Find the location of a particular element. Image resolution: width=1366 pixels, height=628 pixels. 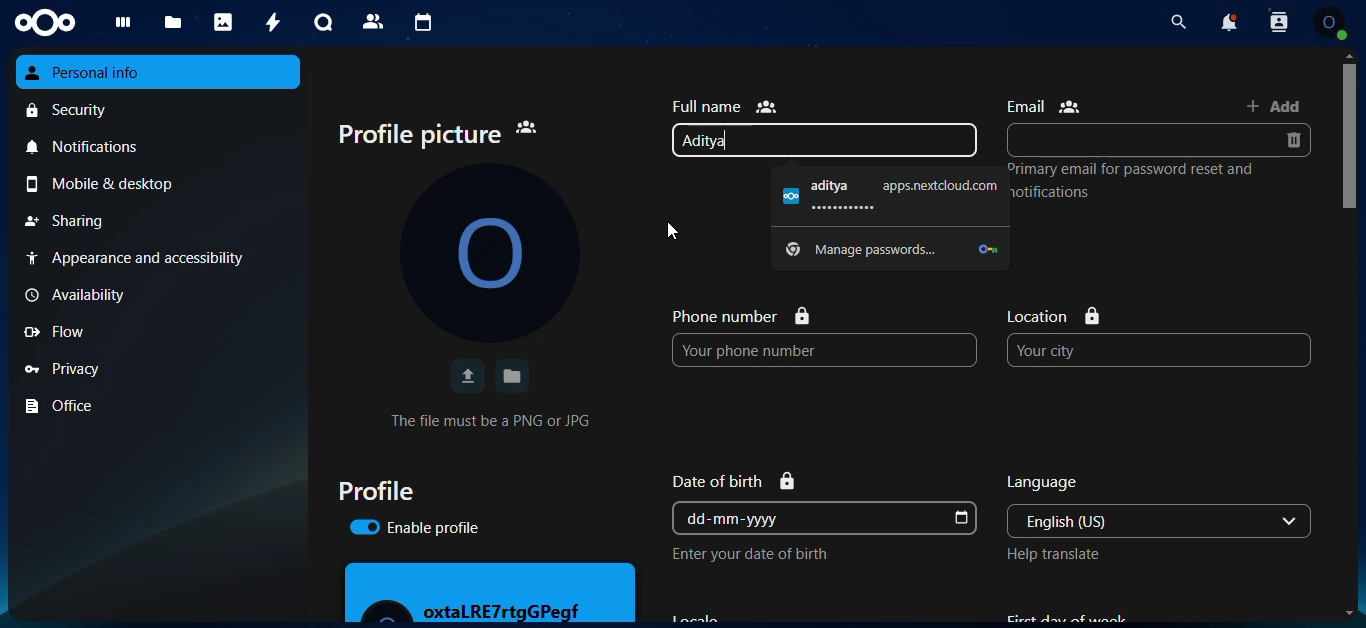

full name is located at coordinates (724, 106).